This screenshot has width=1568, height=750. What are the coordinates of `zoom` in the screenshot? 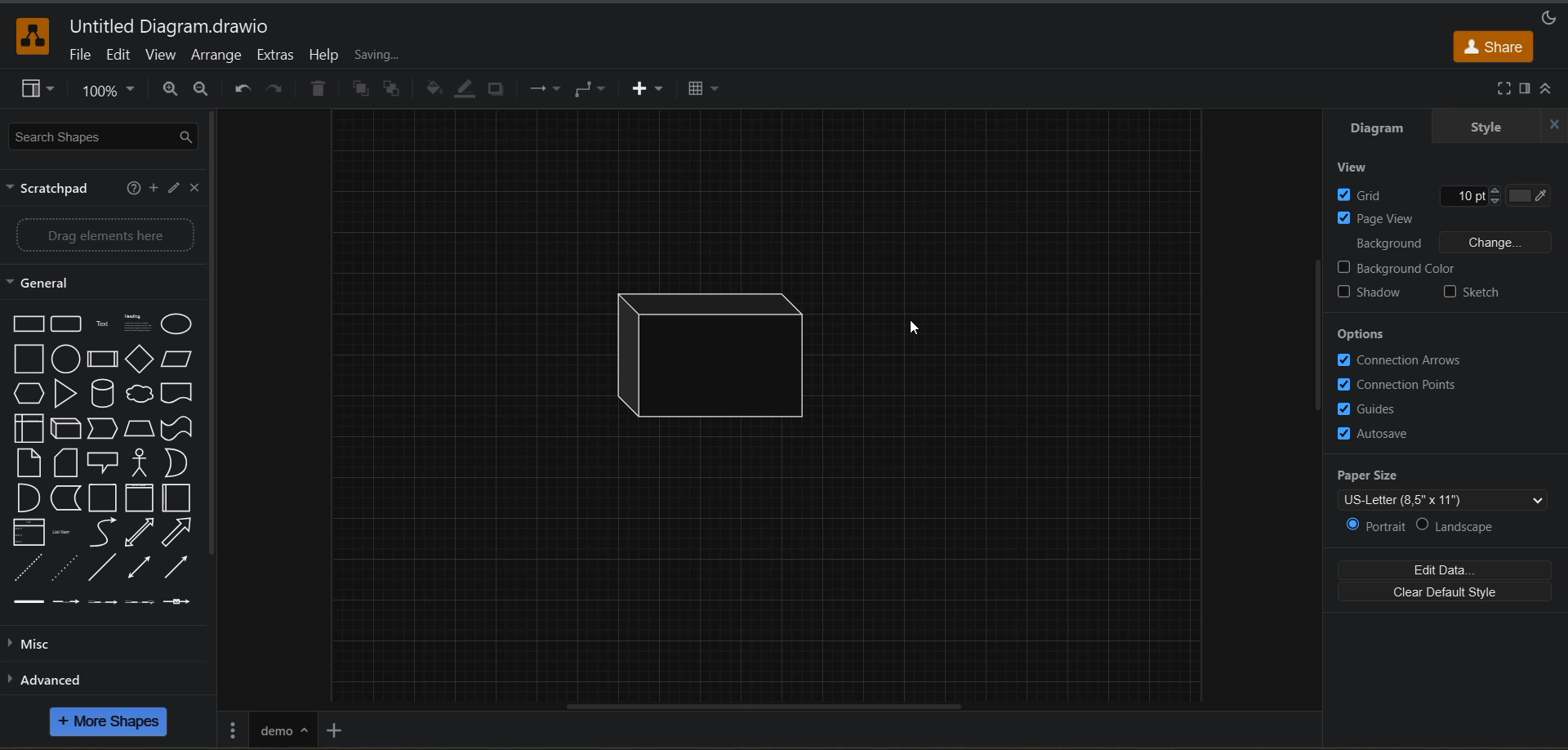 It's located at (109, 91).